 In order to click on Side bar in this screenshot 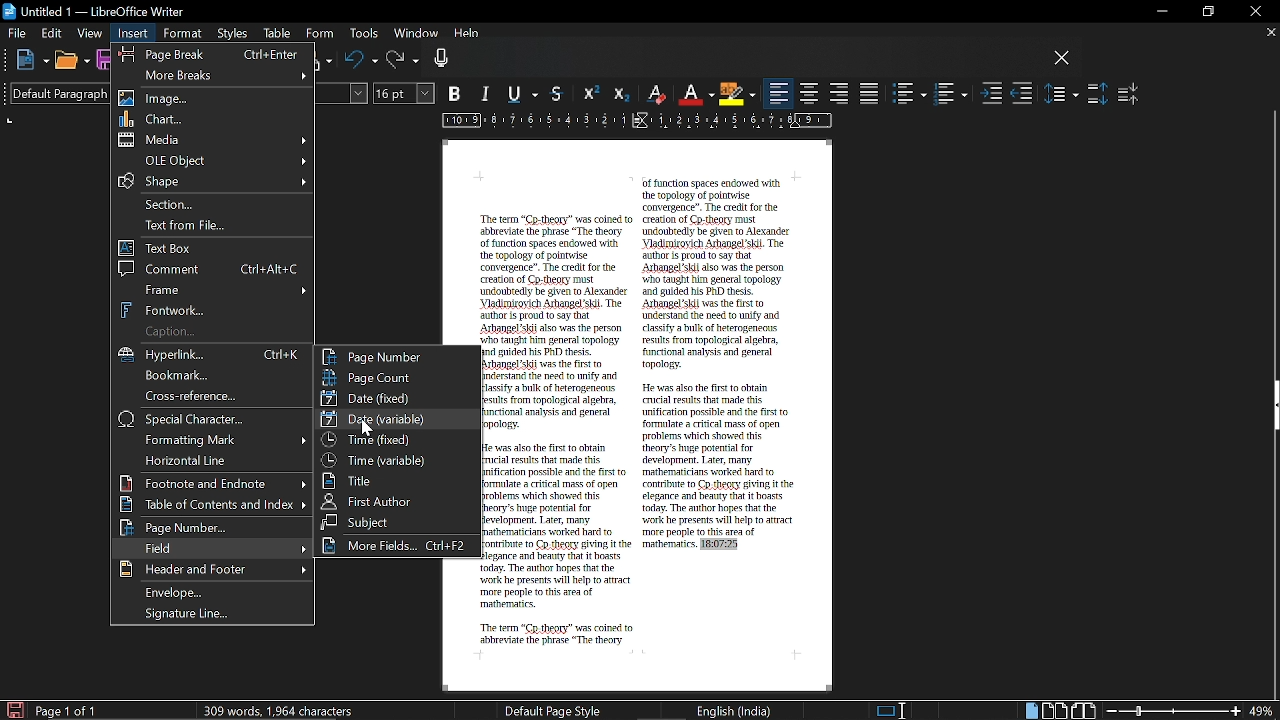, I will do `click(1272, 408)`.